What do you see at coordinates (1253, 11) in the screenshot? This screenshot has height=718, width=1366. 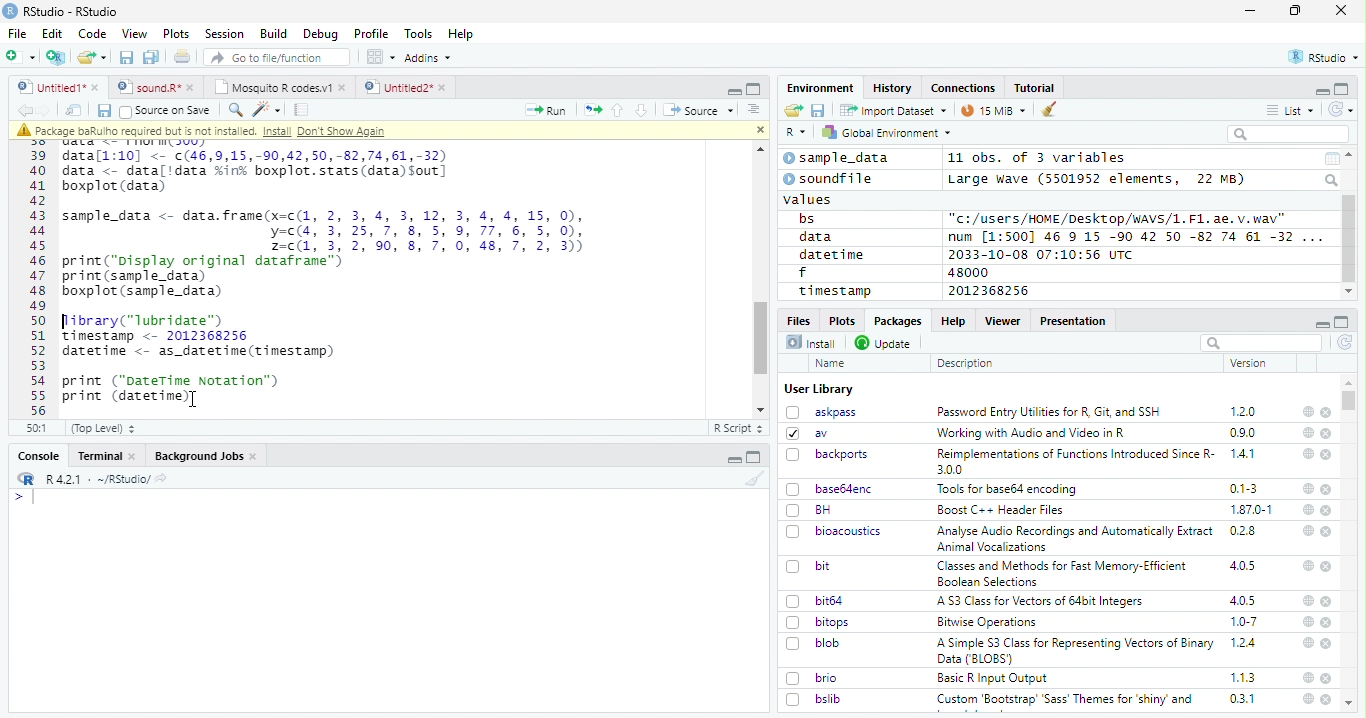 I see `minimize` at bounding box center [1253, 11].